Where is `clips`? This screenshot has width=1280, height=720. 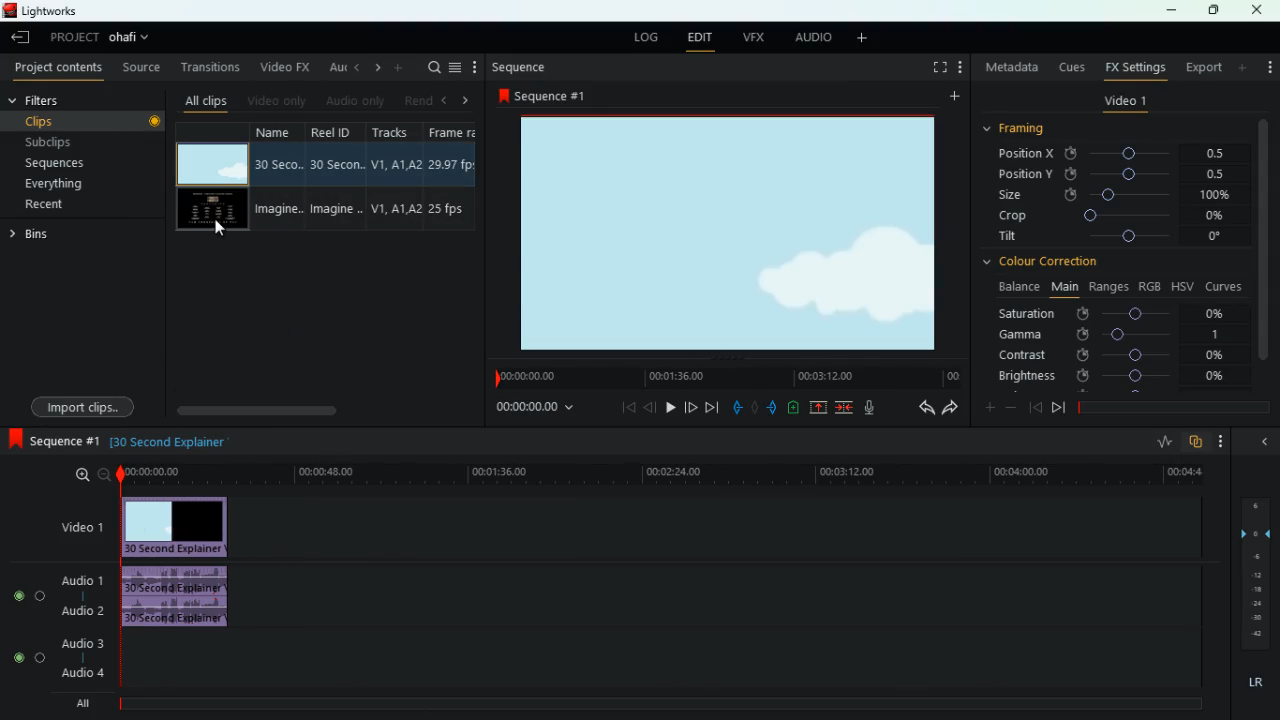
clips is located at coordinates (87, 120).